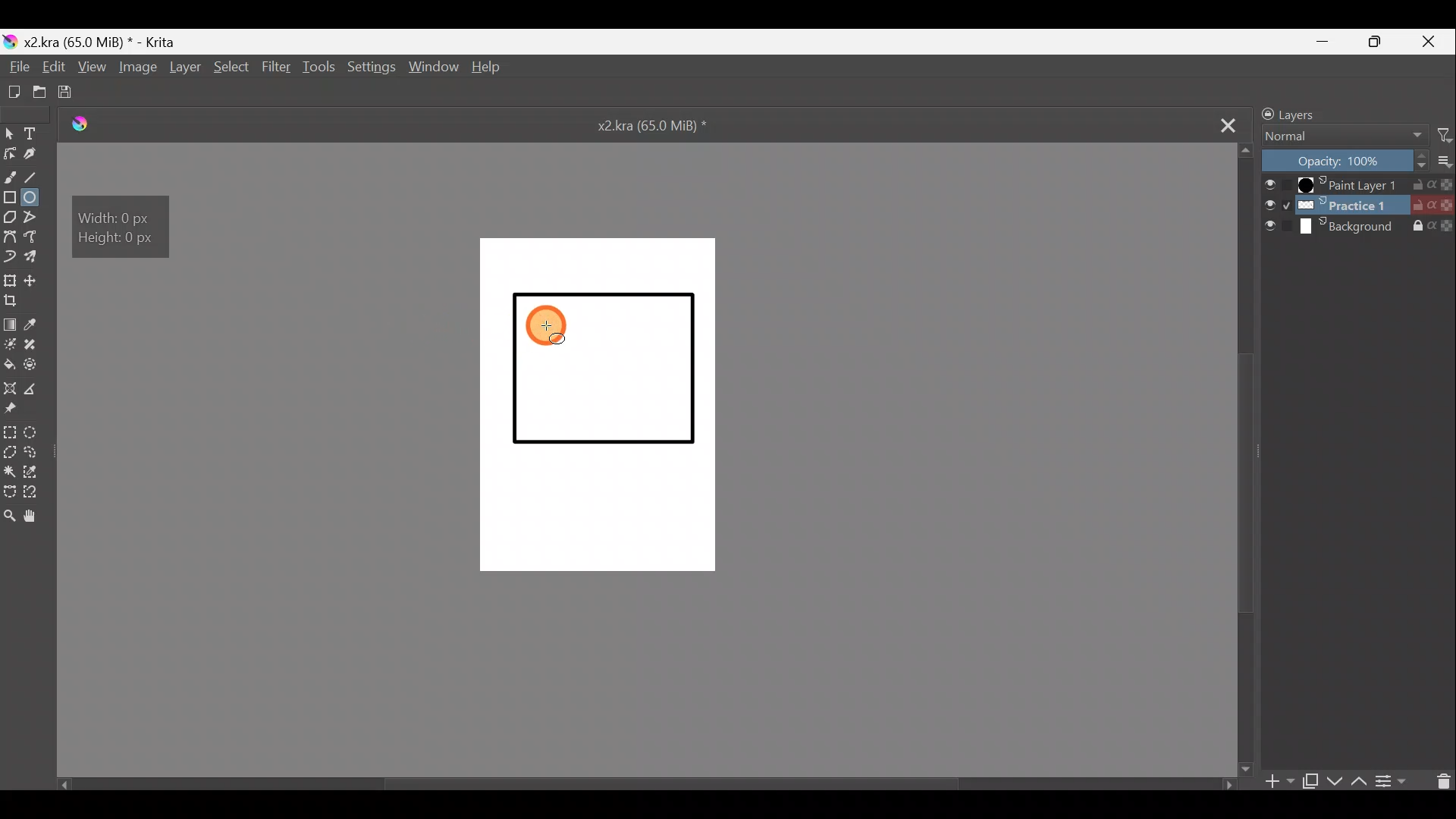 The height and width of the screenshot is (819, 1456). I want to click on More, so click(1441, 162).